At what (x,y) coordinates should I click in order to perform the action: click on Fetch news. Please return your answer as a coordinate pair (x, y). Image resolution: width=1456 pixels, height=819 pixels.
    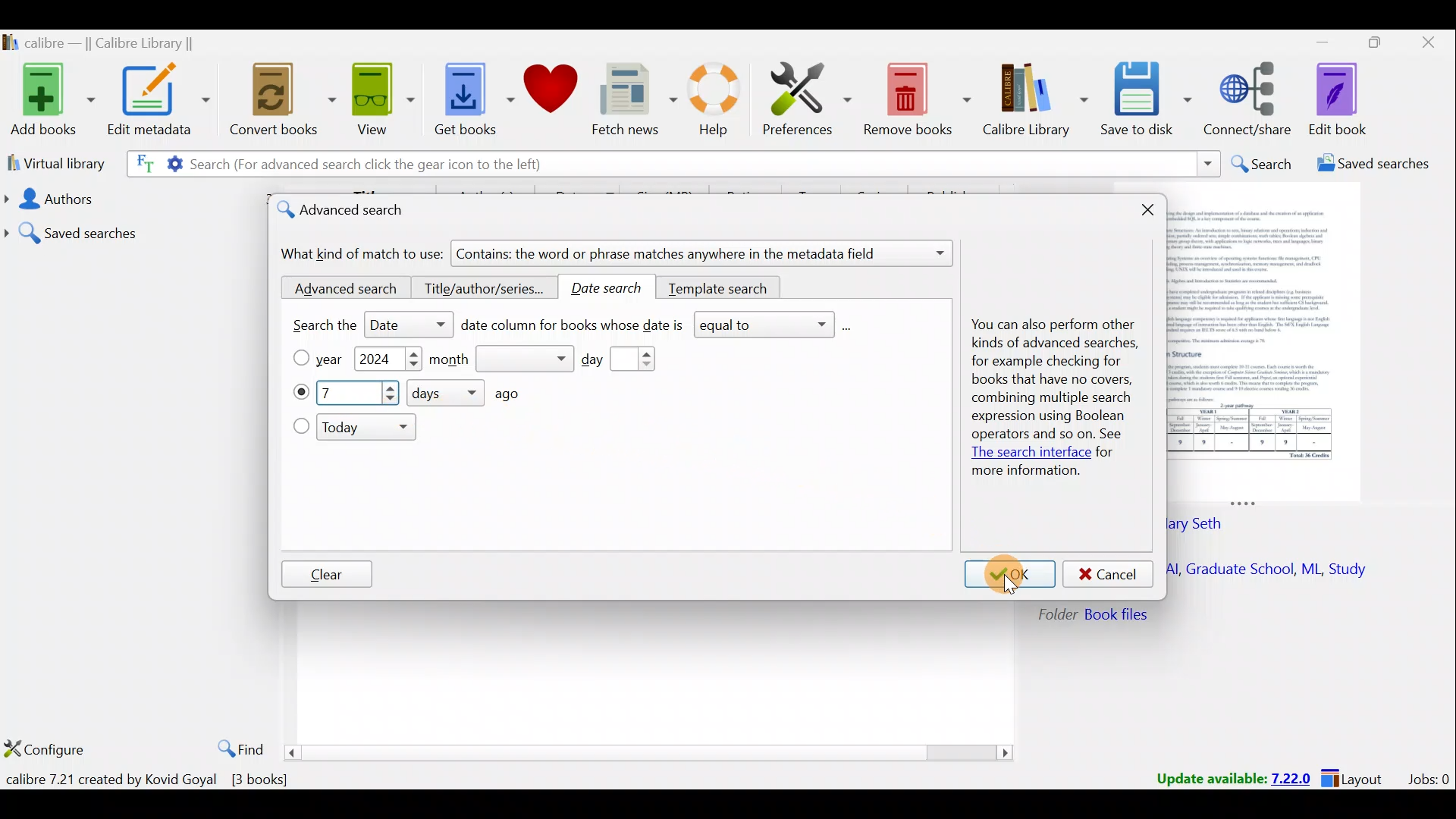
    Looking at the image, I should click on (634, 100).